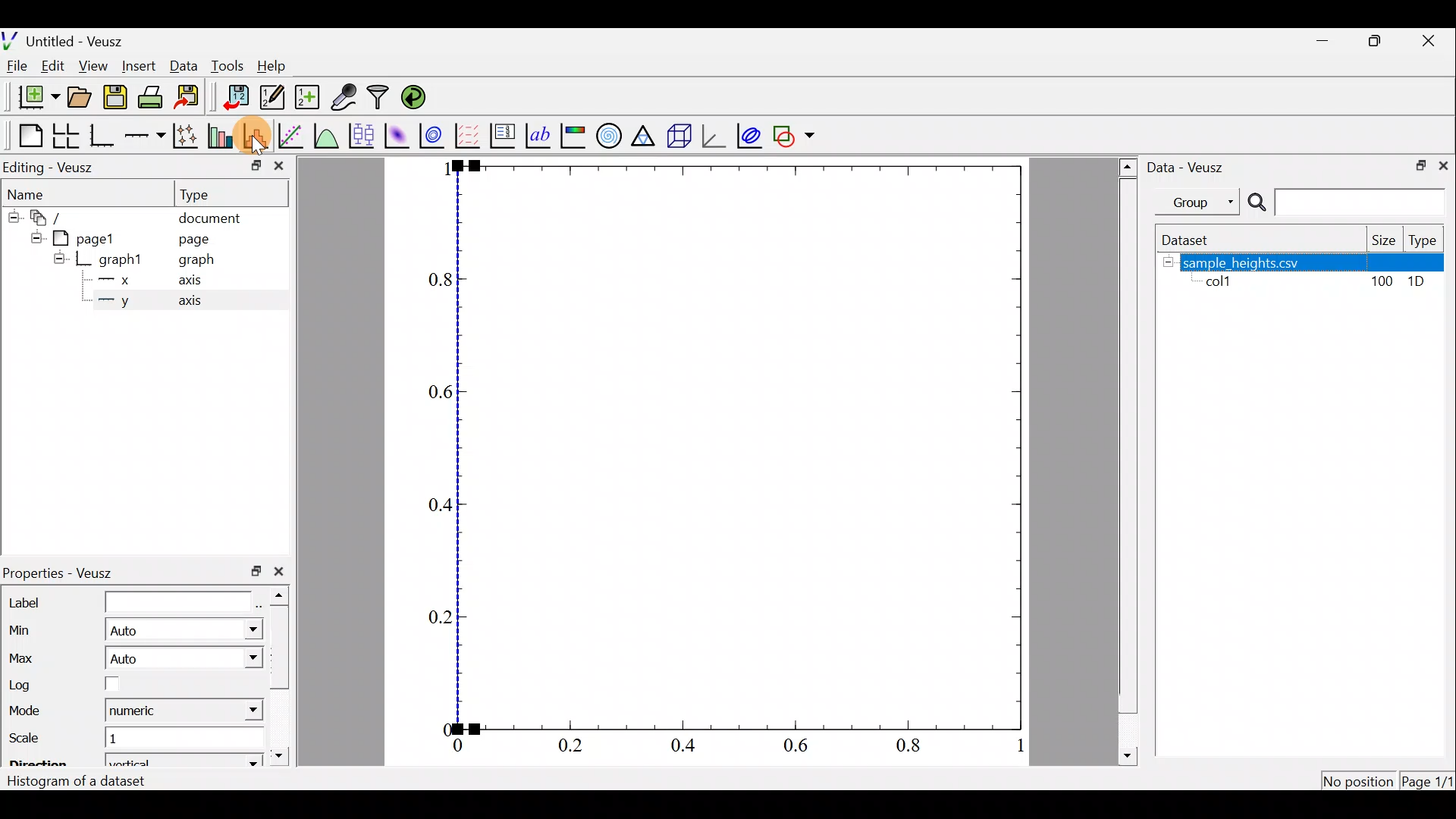 Image resolution: width=1456 pixels, height=819 pixels. I want to click on mode dropdown, so click(240, 713).